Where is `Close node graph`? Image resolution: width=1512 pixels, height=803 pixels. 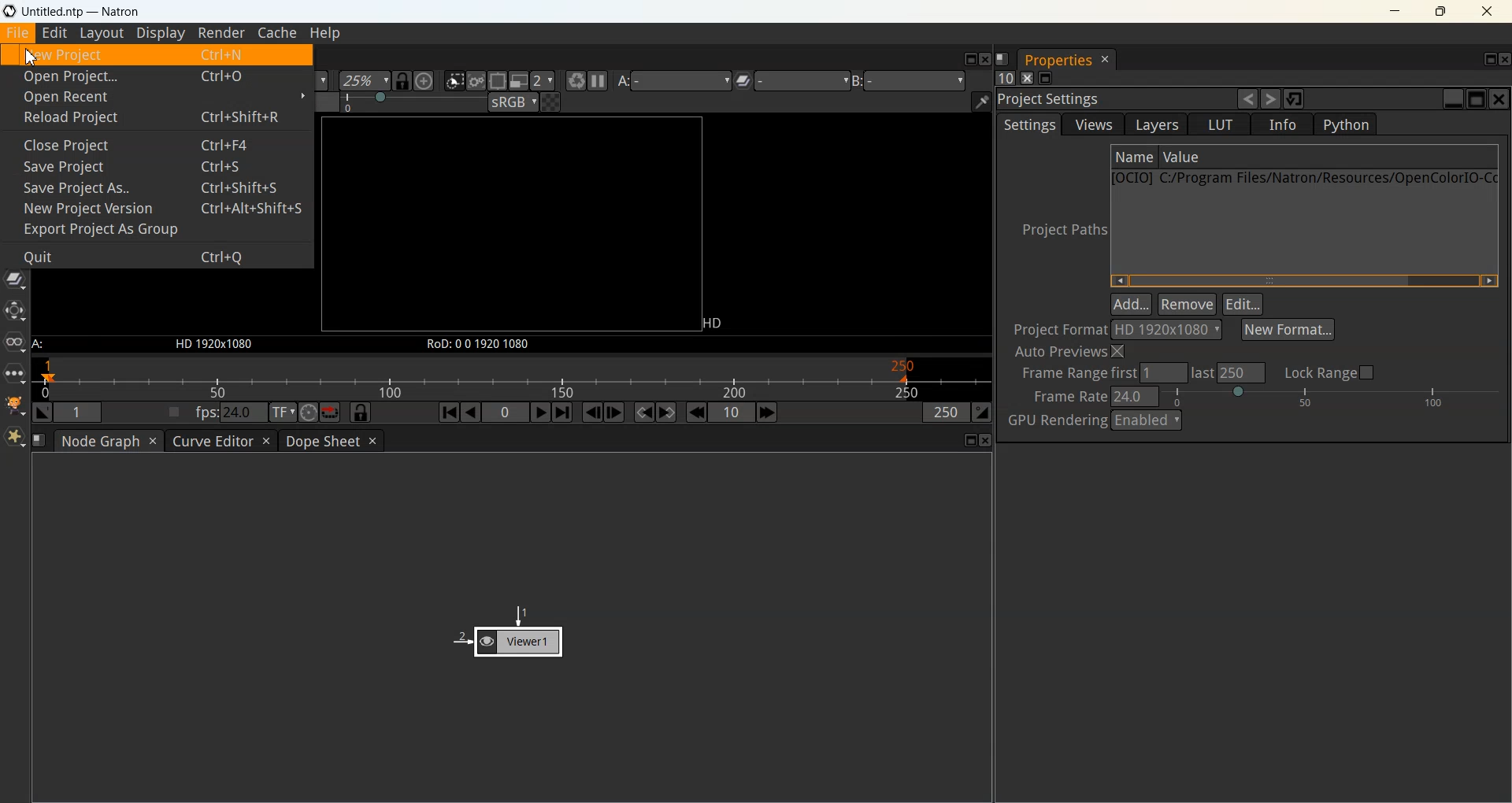 Close node graph is located at coordinates (154, 441).